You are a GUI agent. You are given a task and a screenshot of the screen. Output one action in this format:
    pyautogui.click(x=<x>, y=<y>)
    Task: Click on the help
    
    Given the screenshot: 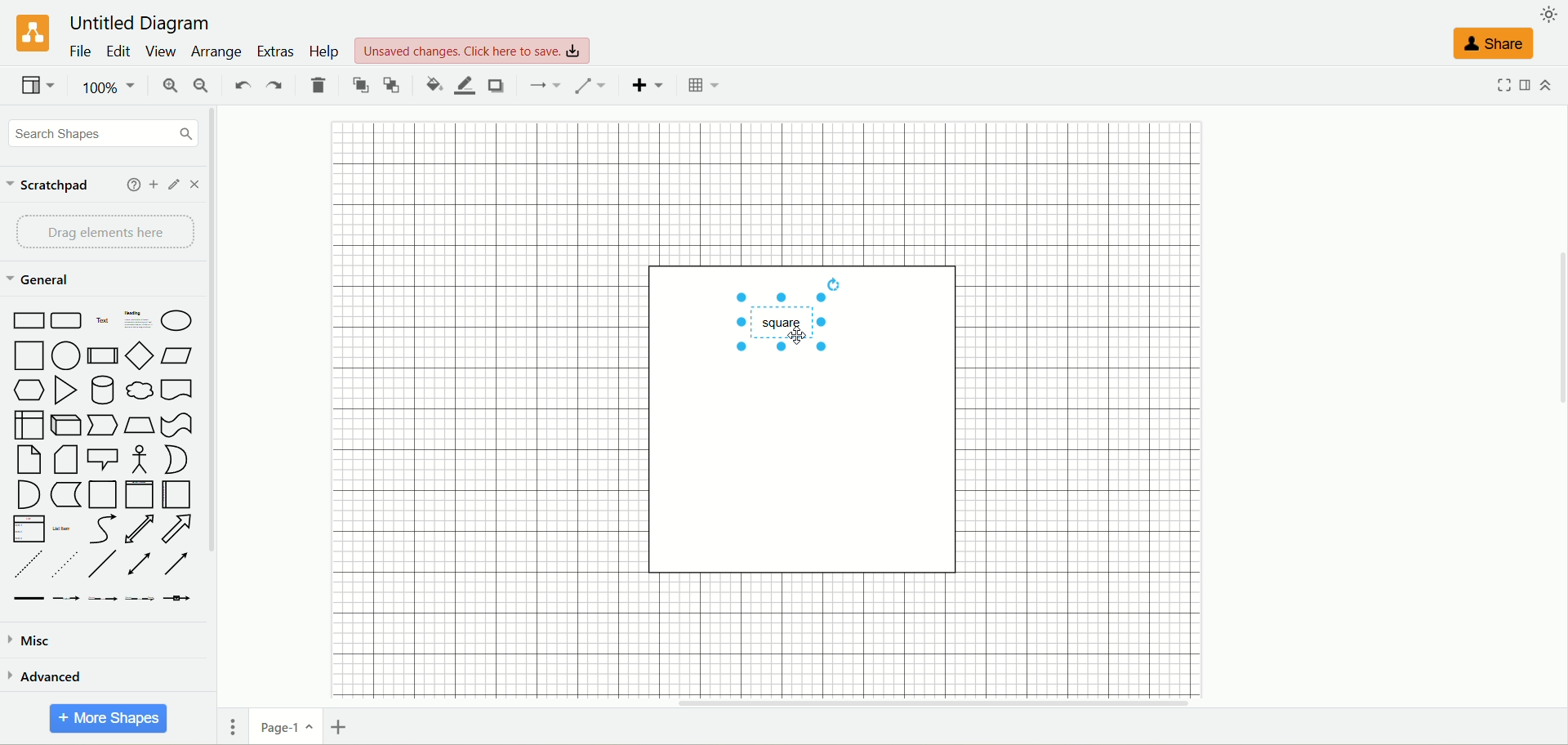 What is the action you would take?
    pyautogui.click(x=322, y=51)
    